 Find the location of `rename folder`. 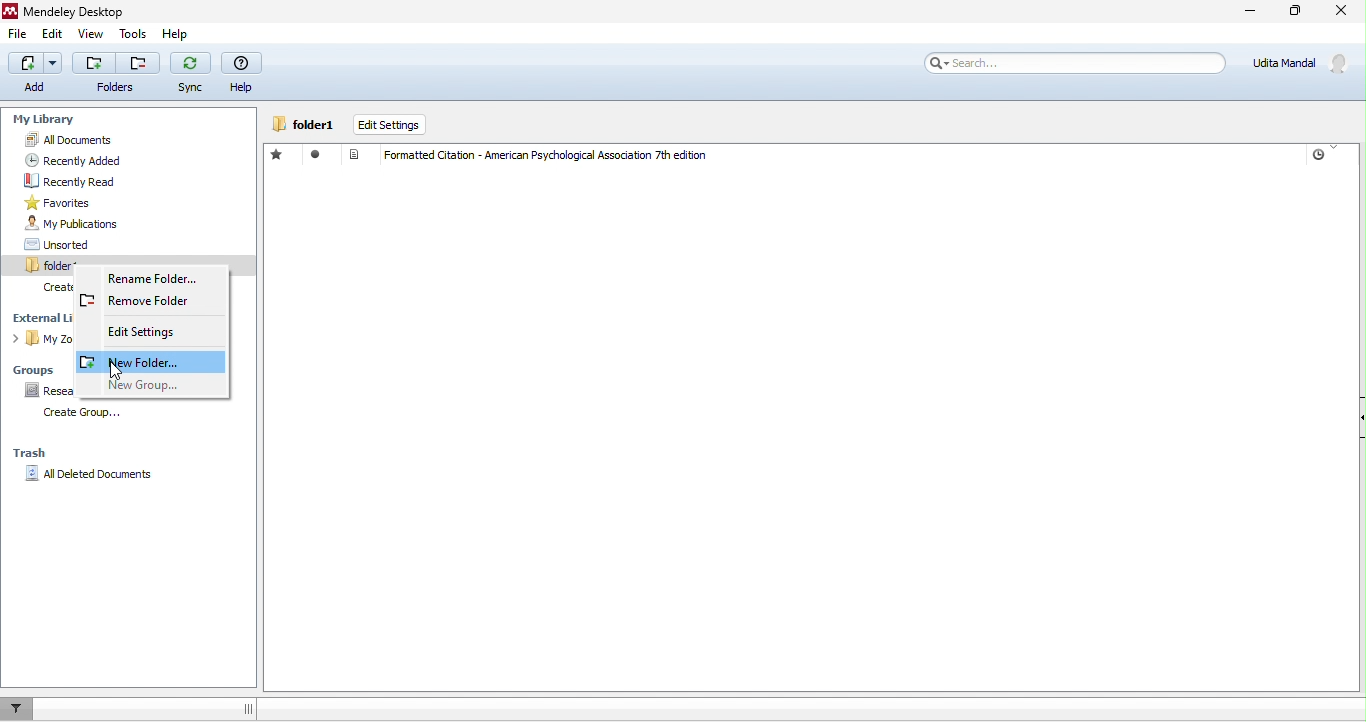

rename folder is located at coordinates (152, 276).